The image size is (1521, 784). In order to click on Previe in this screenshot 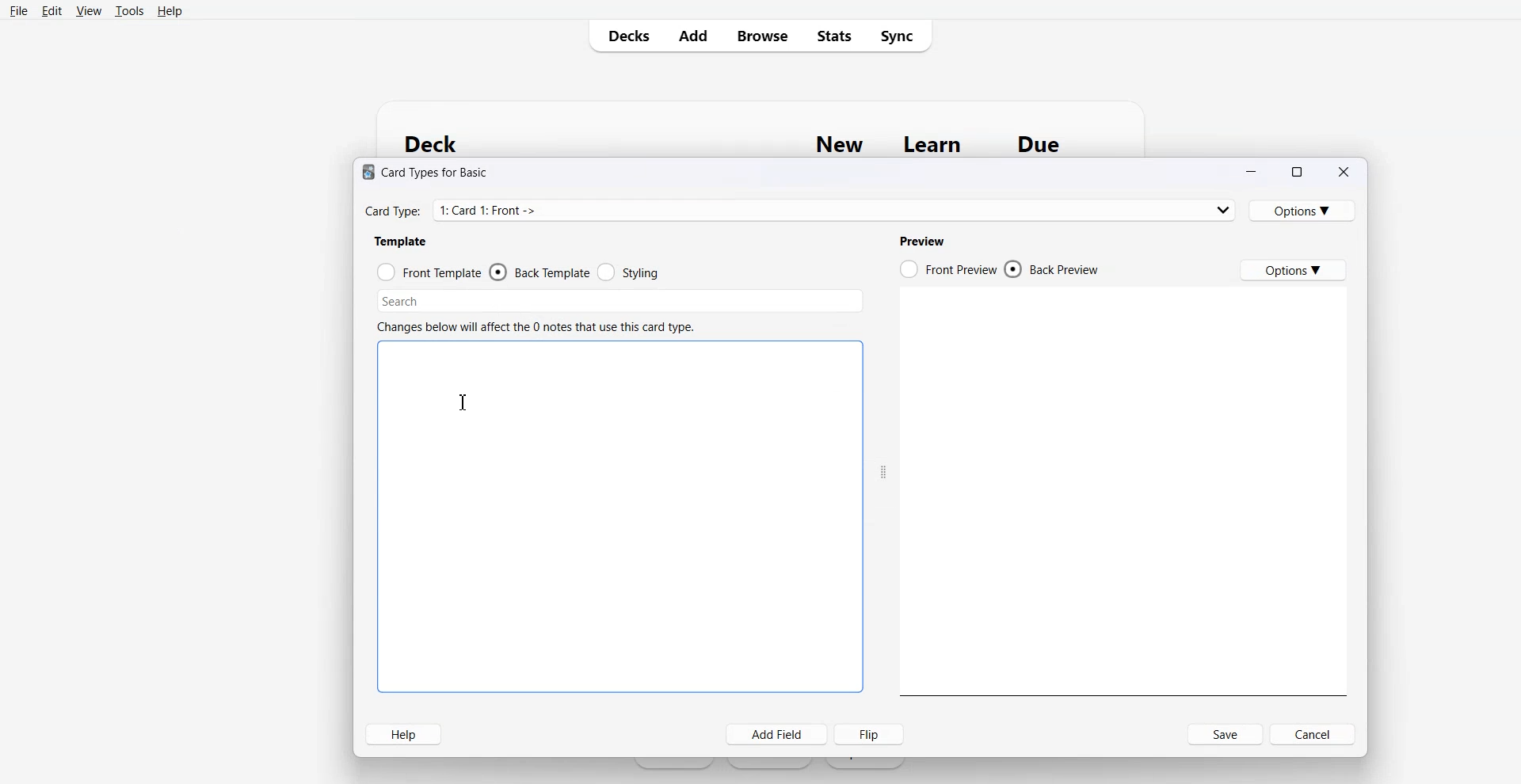, I will do `click(917, 240)`.